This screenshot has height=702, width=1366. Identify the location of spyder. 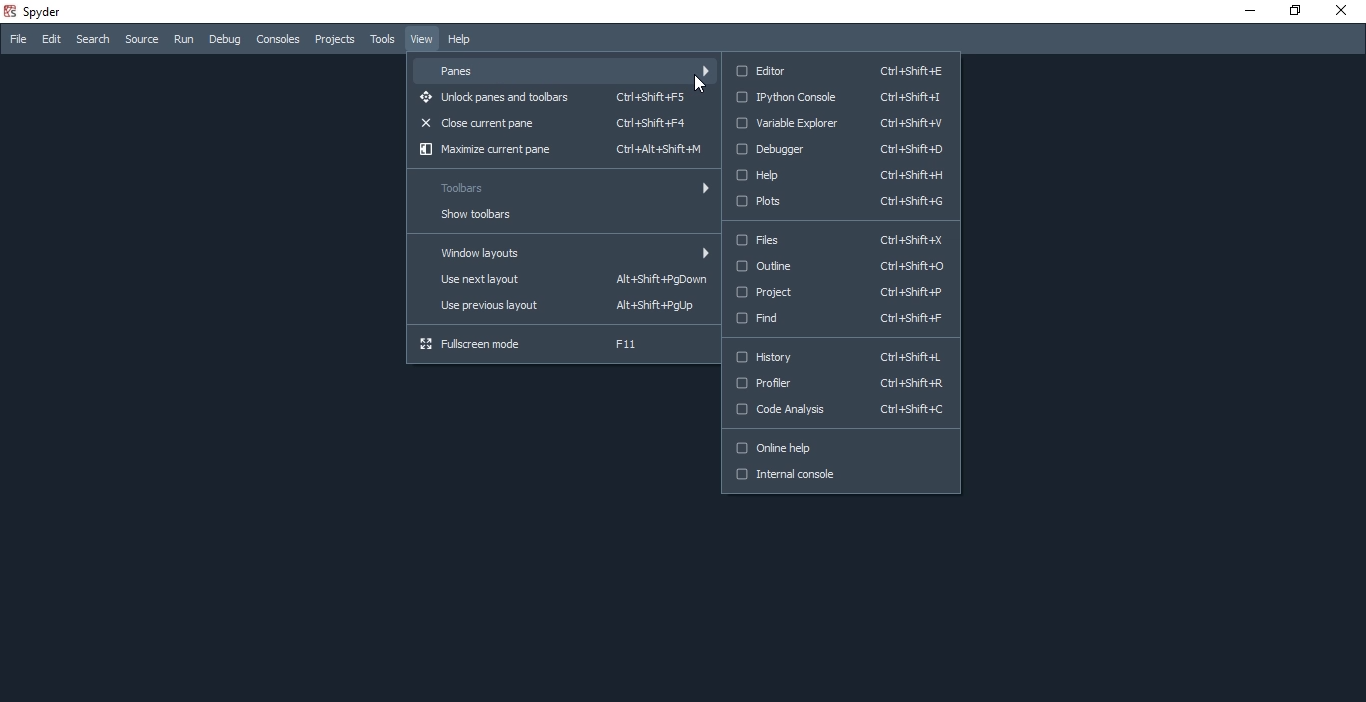
(37, 11).